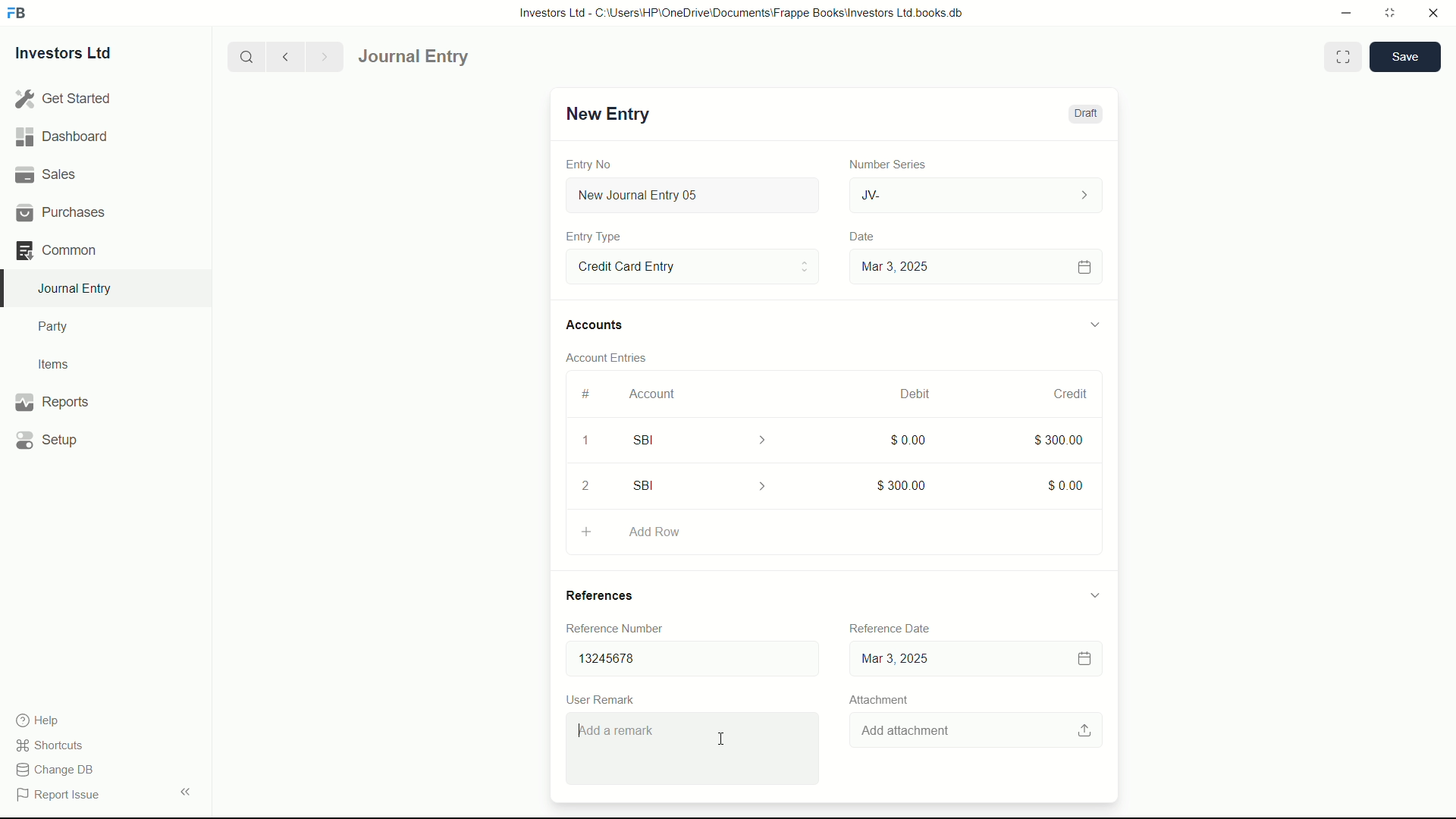 Image resolution: width=1456 pixels, height=819 pixels. Describe the element at coordinates (900, 394) in the screenshot. I see `March, 2025` at that location.